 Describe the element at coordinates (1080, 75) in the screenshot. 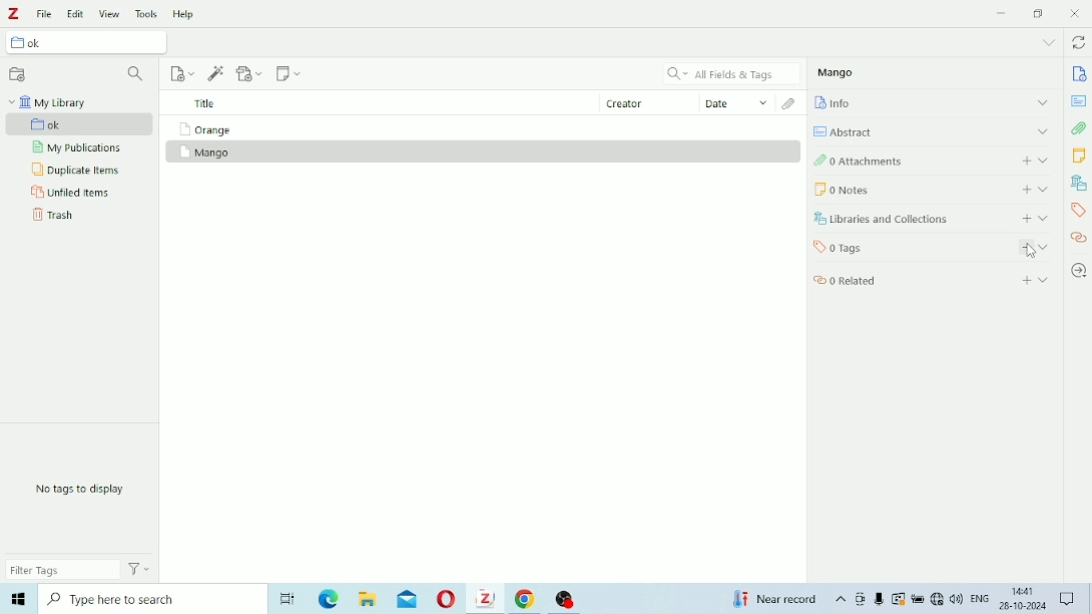

I see `Info` at that location.